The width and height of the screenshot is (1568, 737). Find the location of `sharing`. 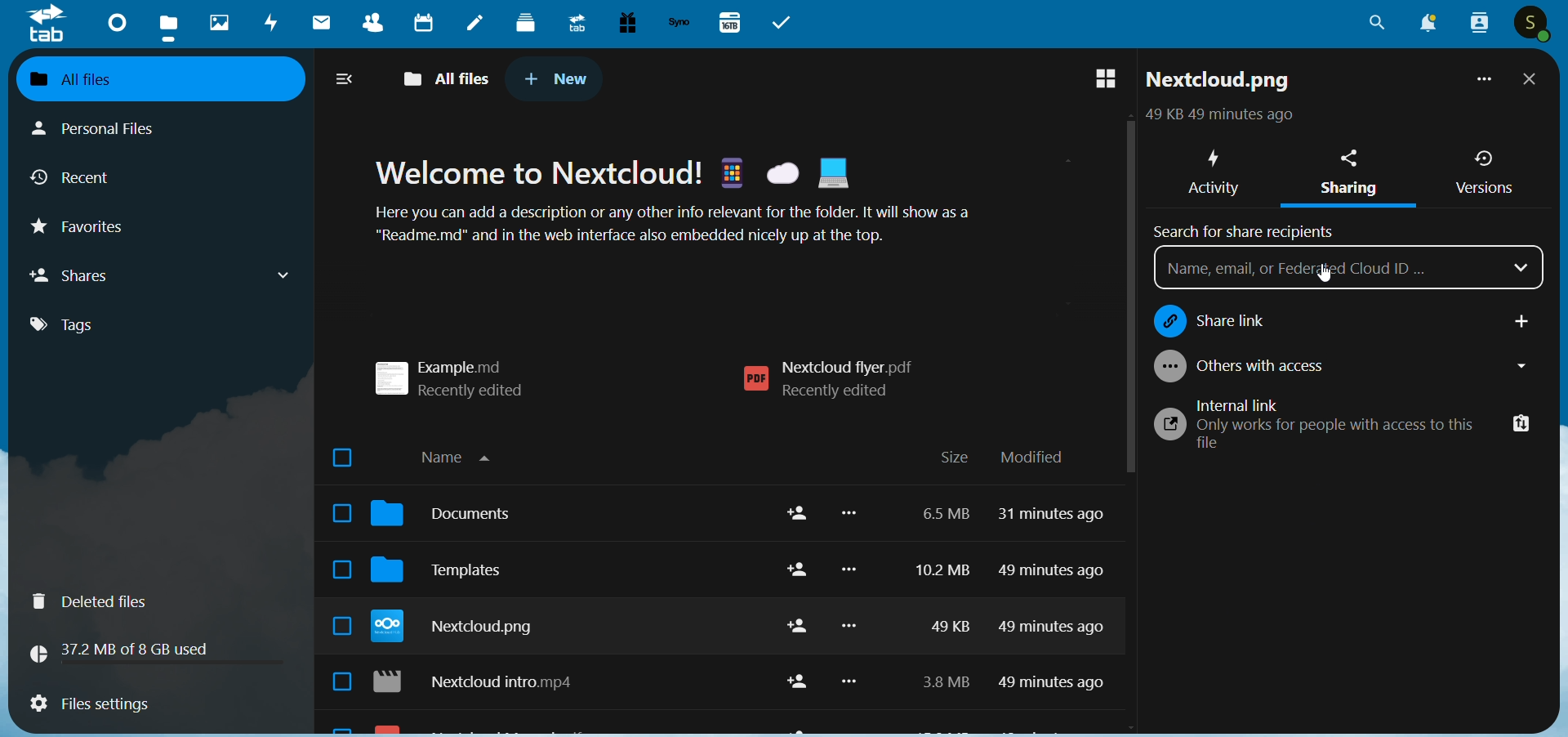

sharing is located at coordinates (1354, 176).